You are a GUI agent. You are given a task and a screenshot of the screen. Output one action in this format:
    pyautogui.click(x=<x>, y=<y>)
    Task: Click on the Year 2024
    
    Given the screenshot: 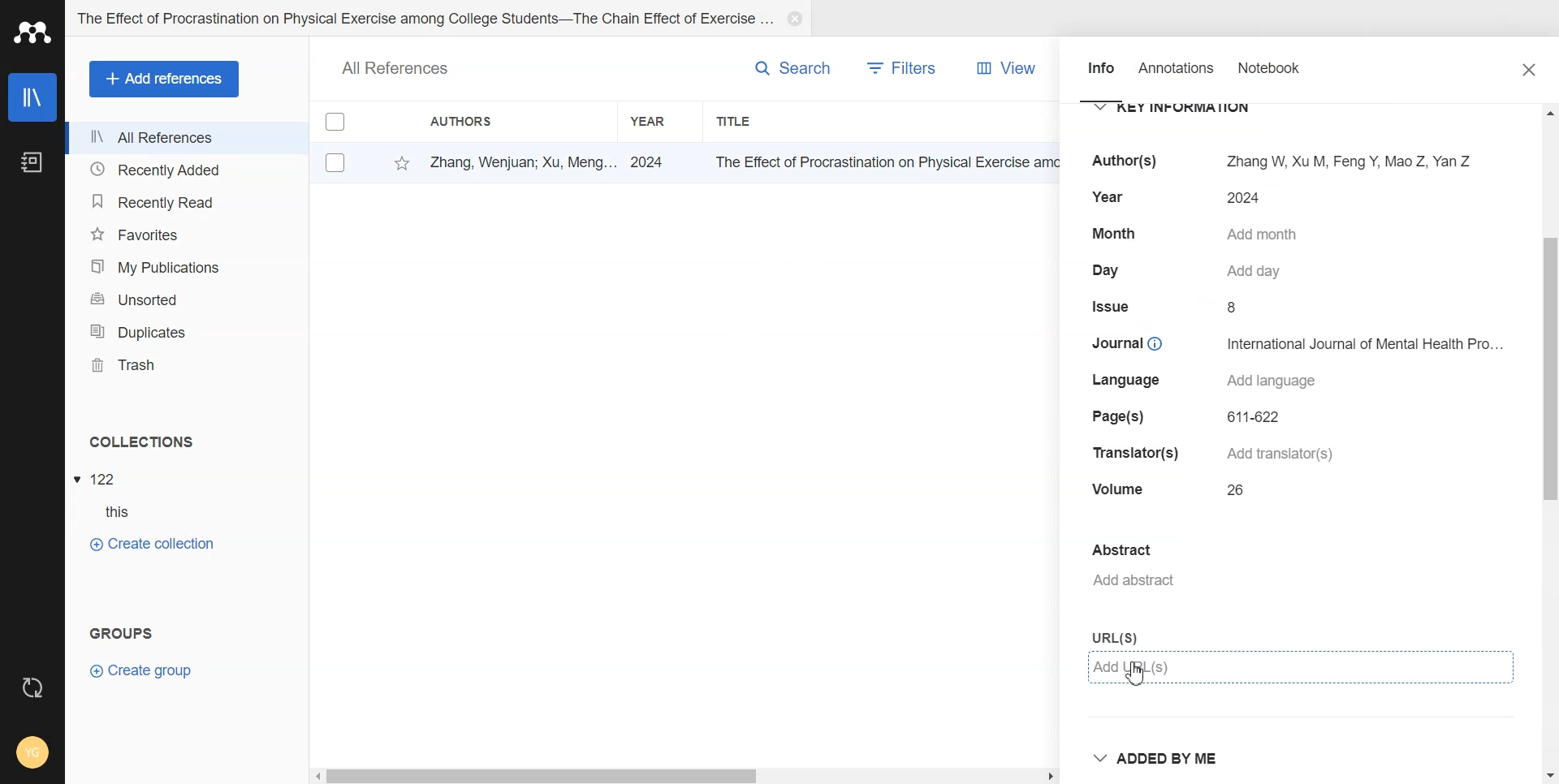 What is the action you would take?
    pyautogui.click(x=1172, y=199)
    